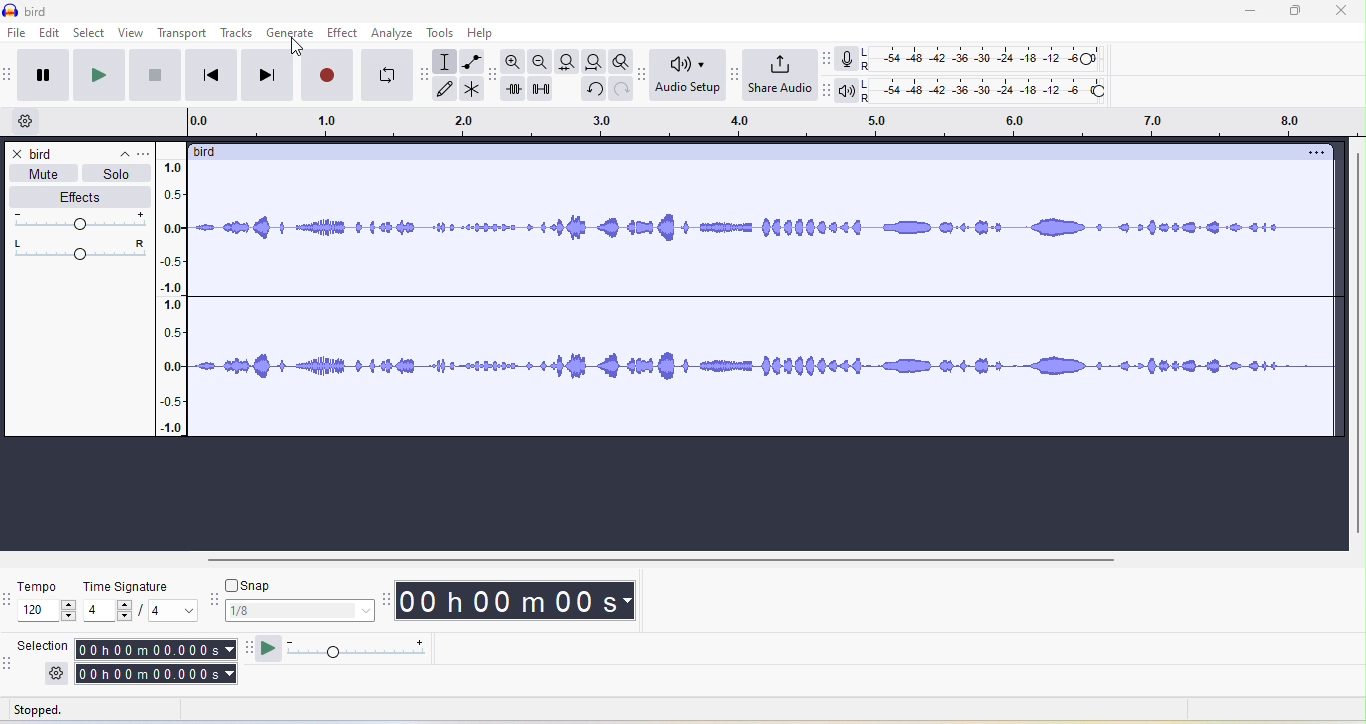 This screenshot has height=724, width=1366. I want to click on skip to start, so click(207, 75).